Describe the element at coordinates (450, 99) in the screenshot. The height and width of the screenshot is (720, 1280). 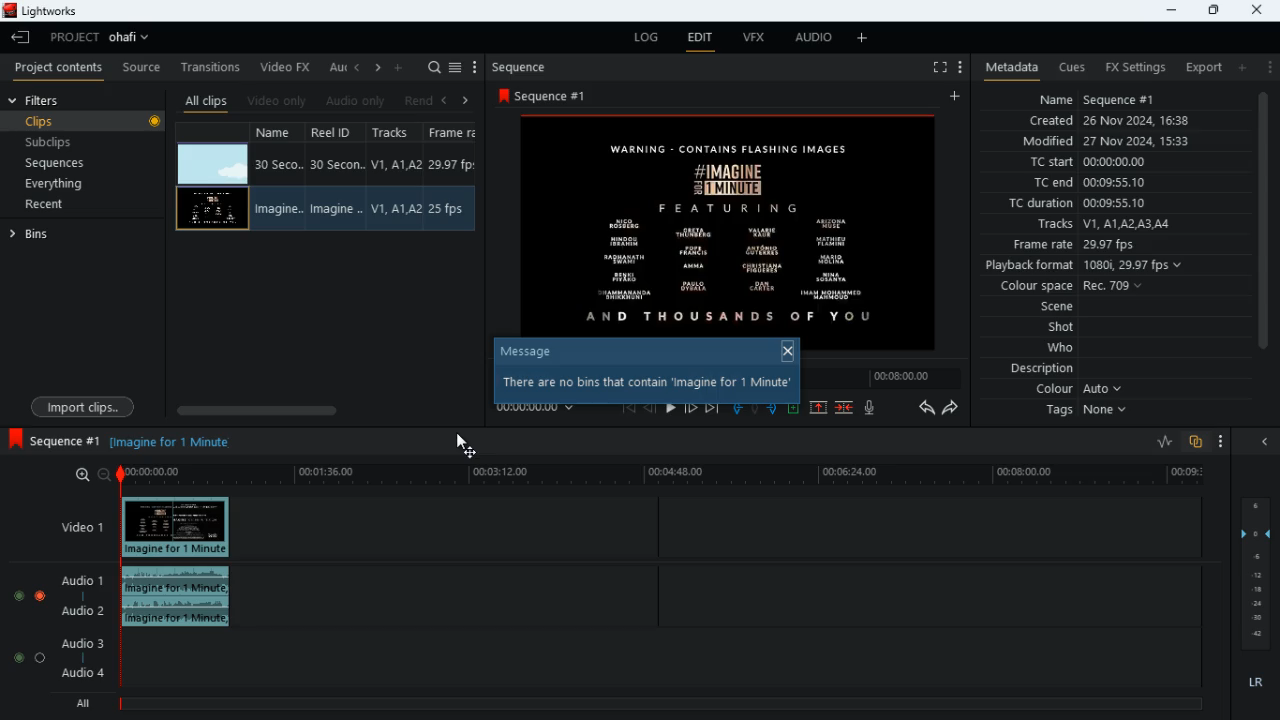
I see `left` at that location.